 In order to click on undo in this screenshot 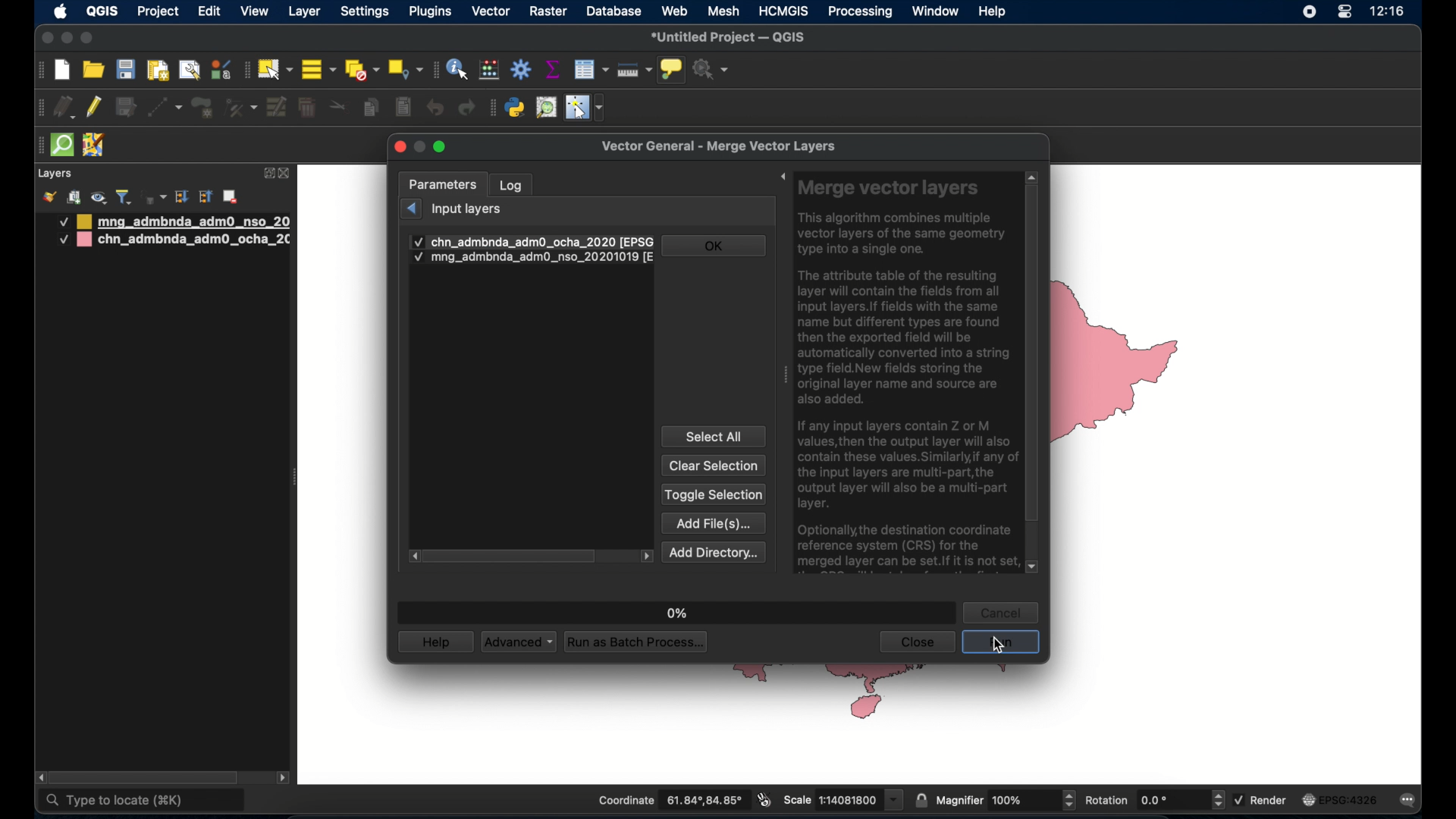, I will do `click(436, 108)`.